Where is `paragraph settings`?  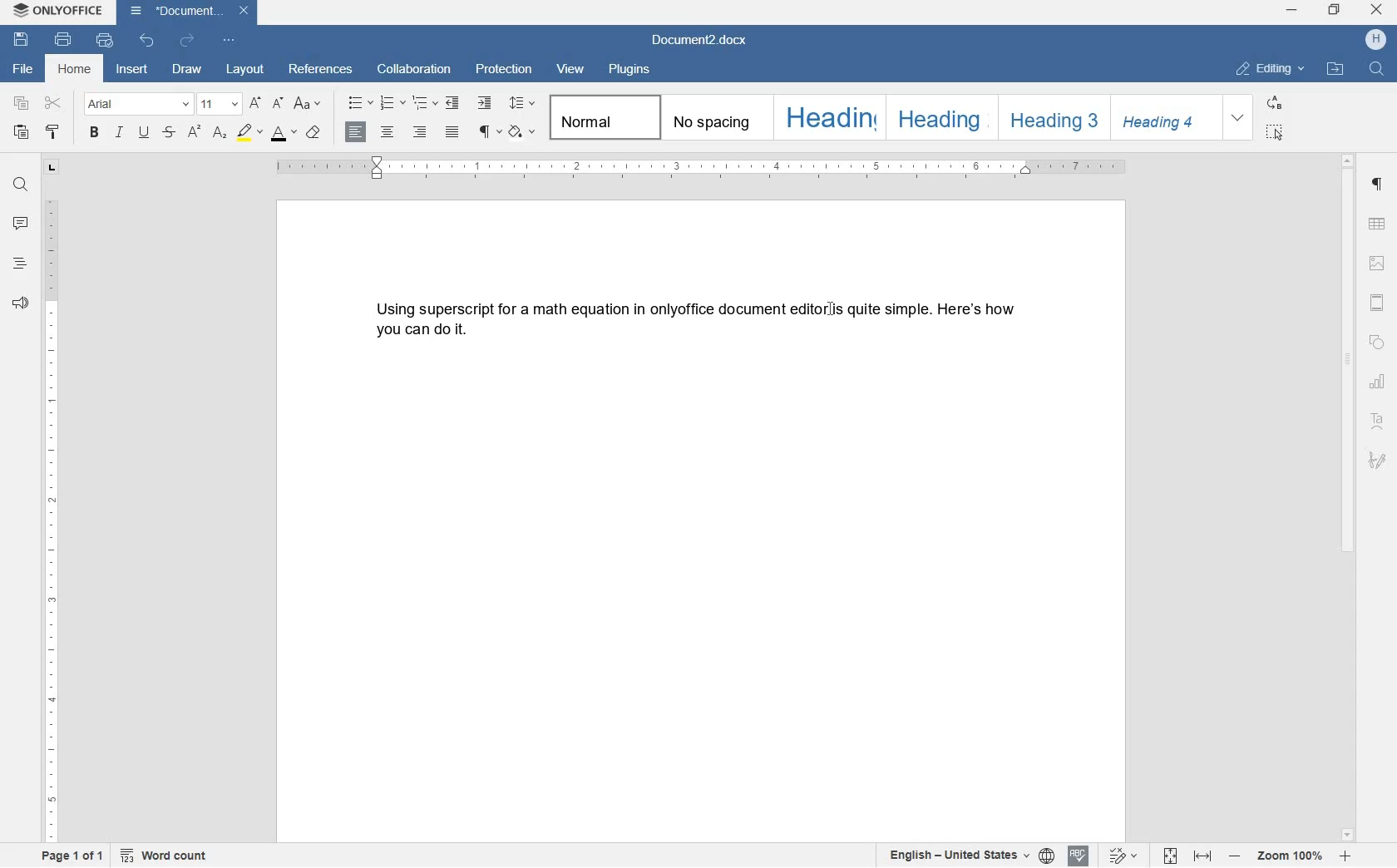 paragraph settings is located at coordinates (1378, 185).